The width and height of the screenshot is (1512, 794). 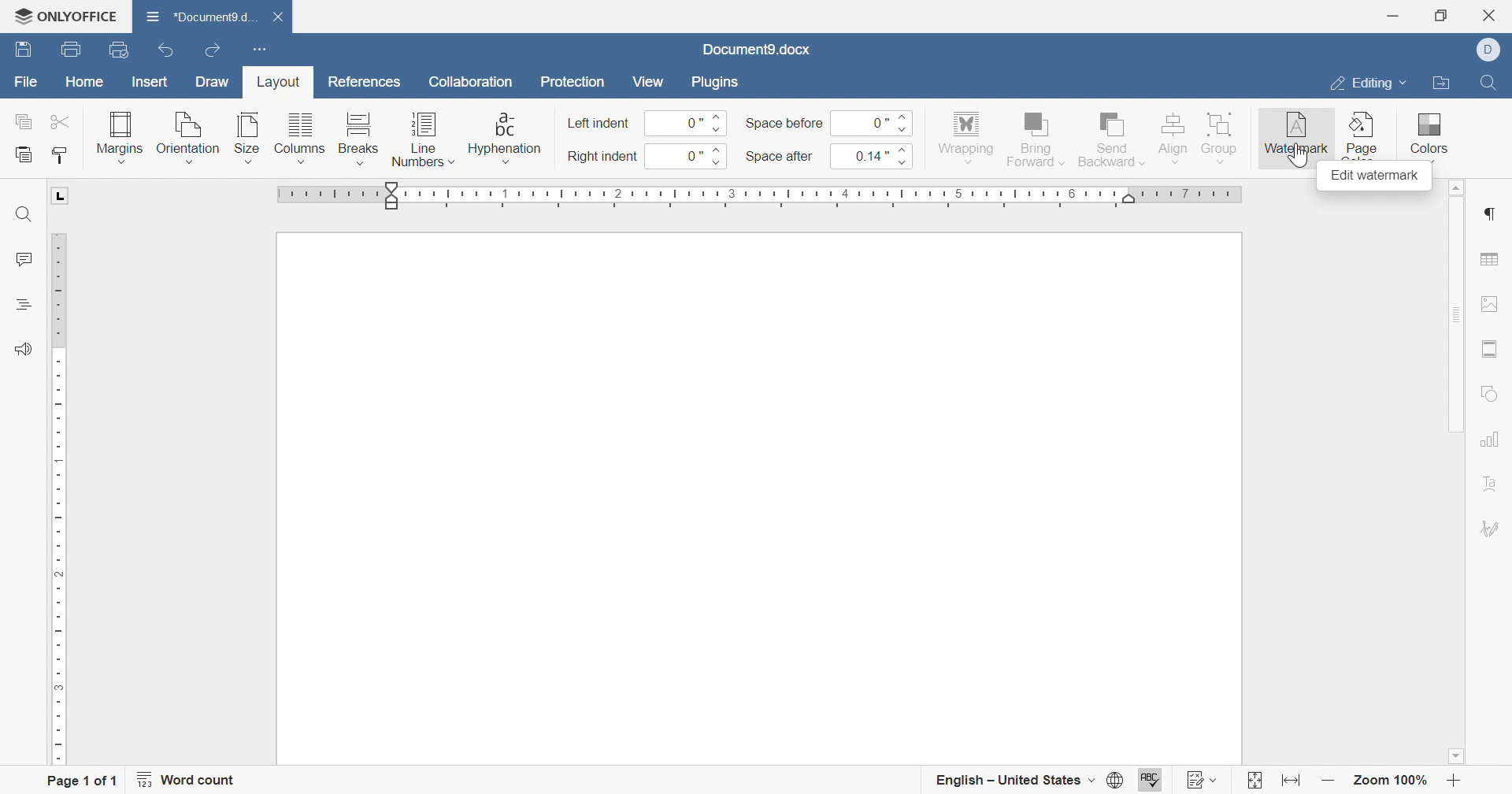 I want to click on paragraph settings, so click(x=1488, y=214).